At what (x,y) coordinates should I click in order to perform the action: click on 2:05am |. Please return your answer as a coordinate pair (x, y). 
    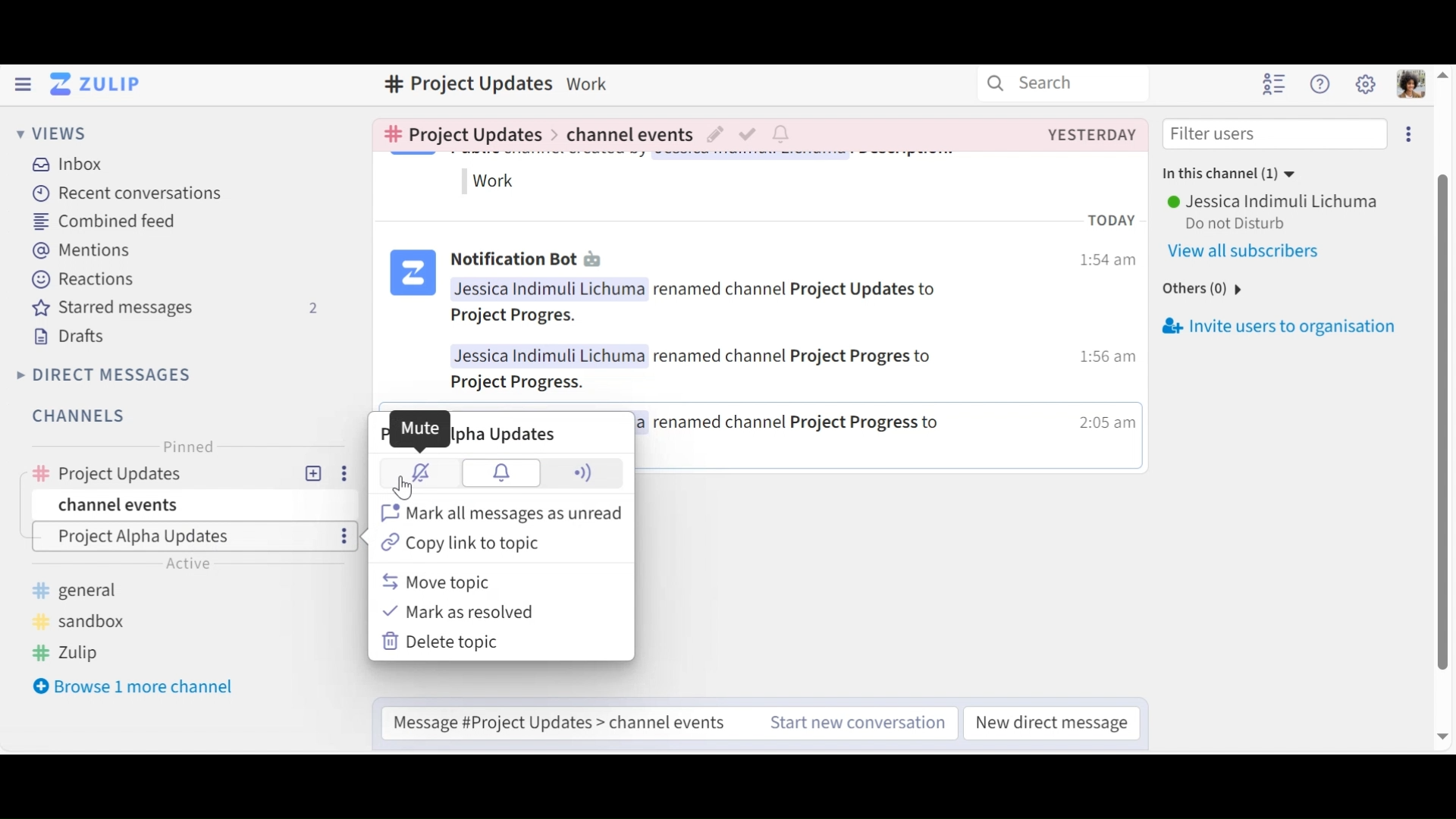
    Looking at the image, I should click on (1106, 427).